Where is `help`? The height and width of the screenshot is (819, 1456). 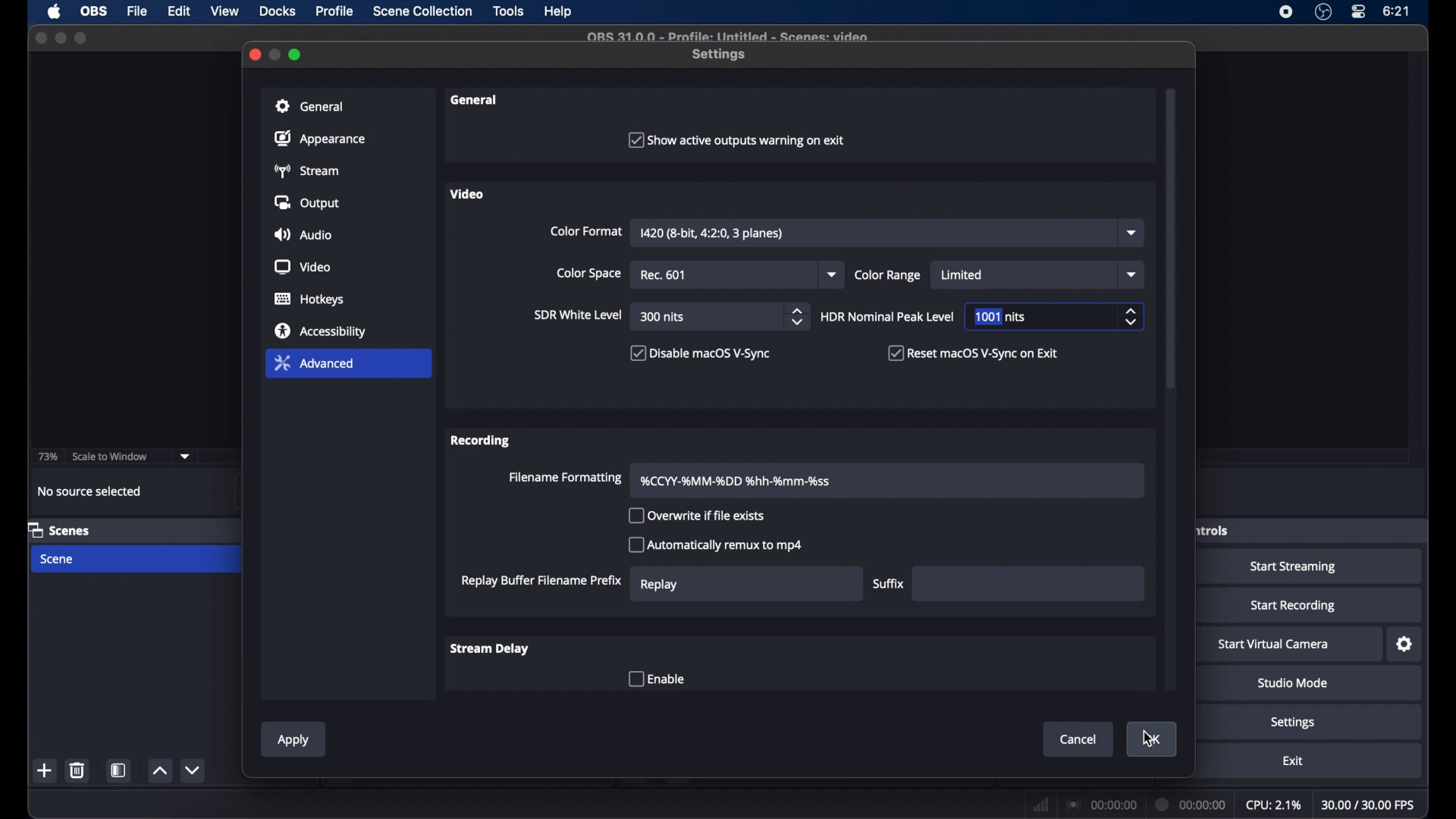
help is located at coordinates (559, 12).